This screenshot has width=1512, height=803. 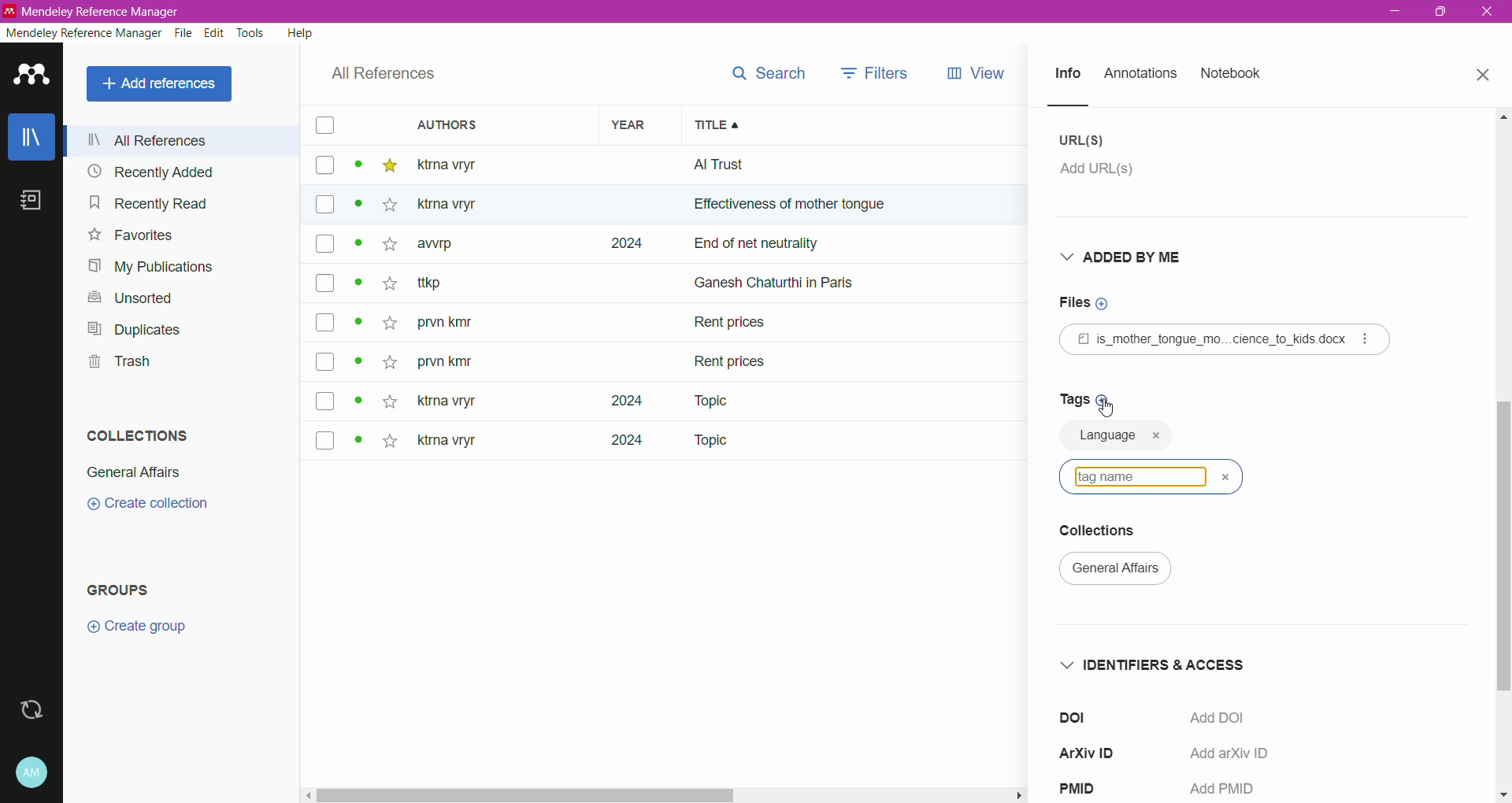 What do you see at coordinates (360, 287) in the screenshot?
I see `dot ` at bounding box center [360, 287].